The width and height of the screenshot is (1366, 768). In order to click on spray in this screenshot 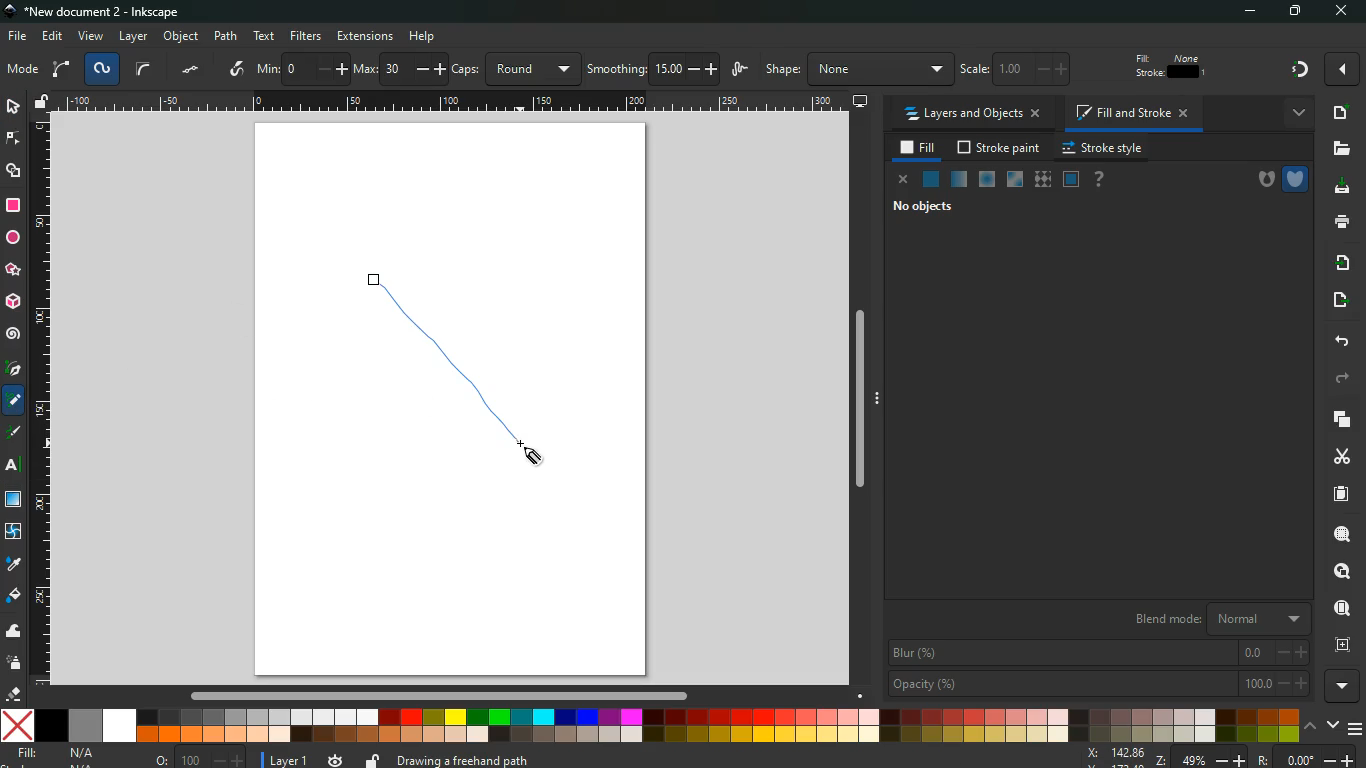, I will do `click(15, 664)`.